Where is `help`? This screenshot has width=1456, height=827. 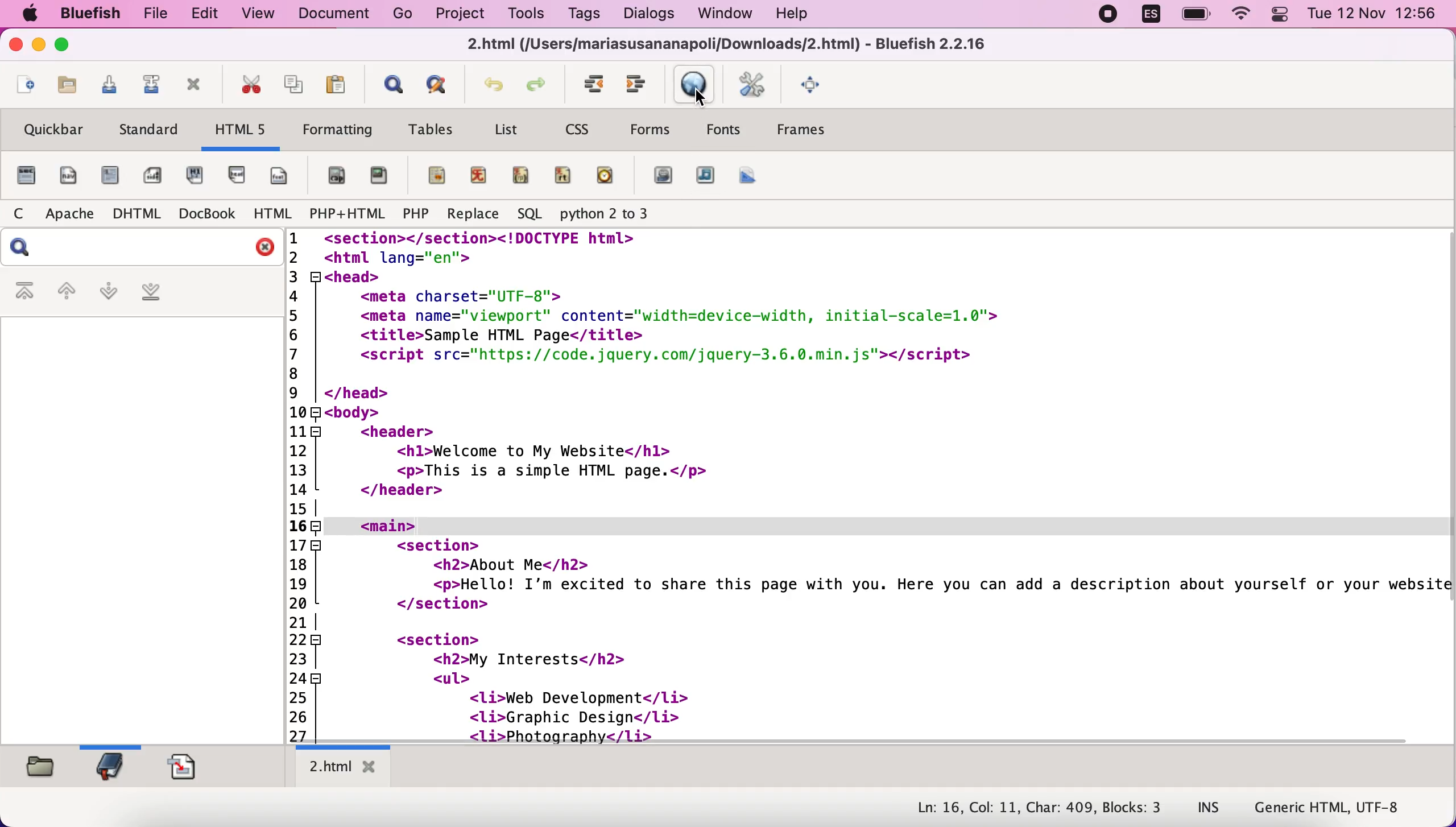 help is located at coordinates (796, 16).